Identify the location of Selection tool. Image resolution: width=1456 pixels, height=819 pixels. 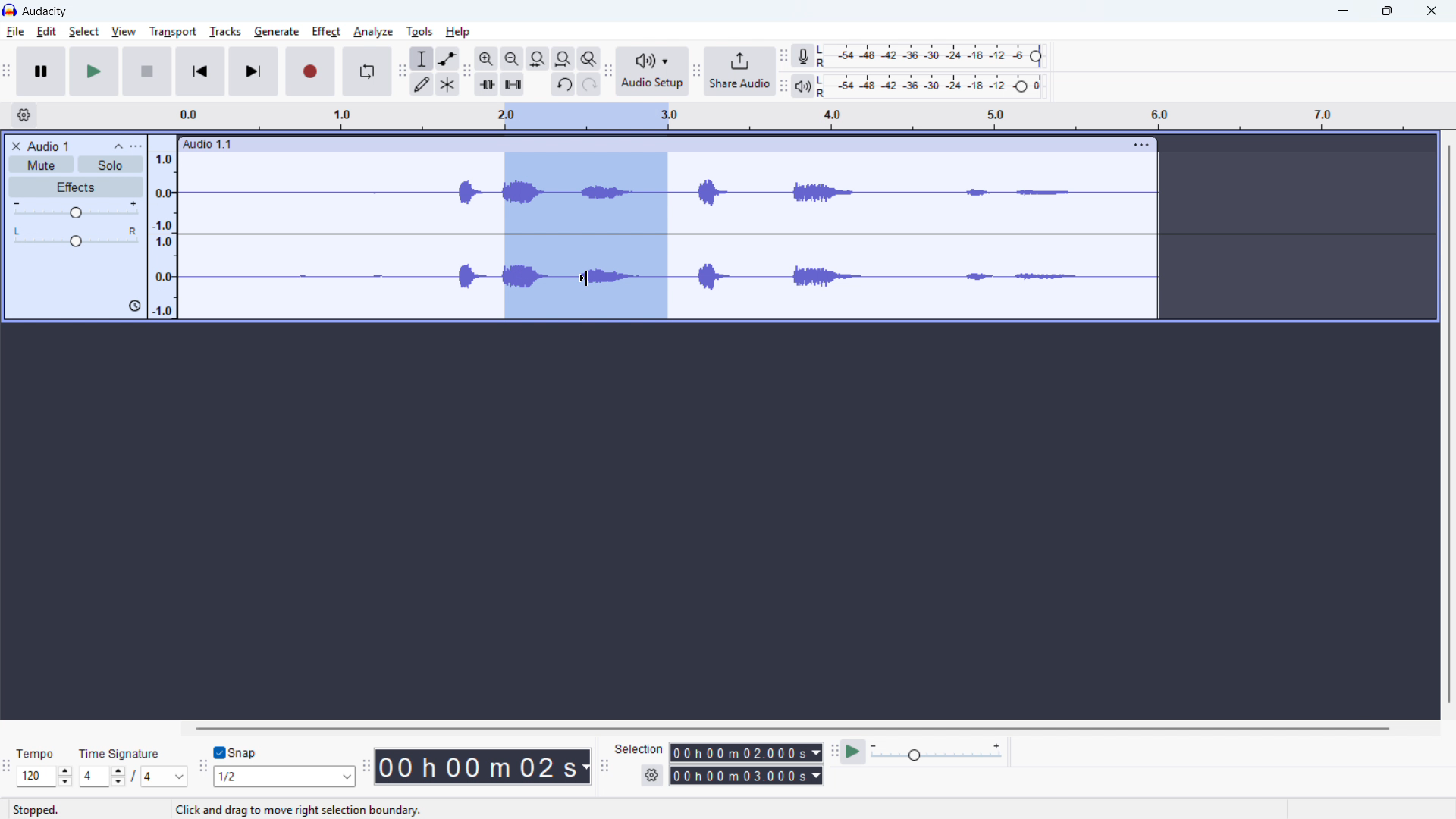
(422, 58).